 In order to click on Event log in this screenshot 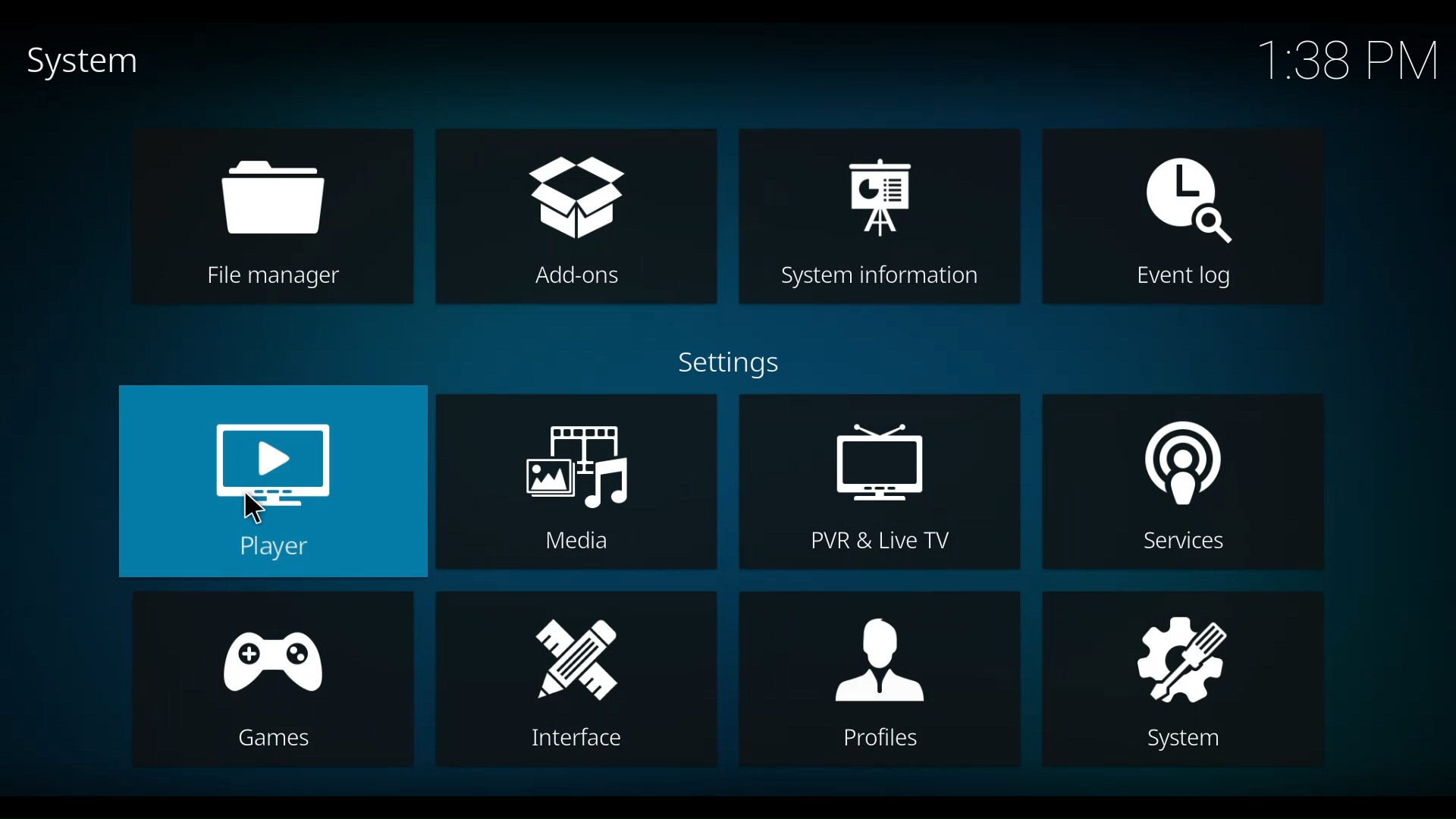, I will do `click(1182, 215)`.